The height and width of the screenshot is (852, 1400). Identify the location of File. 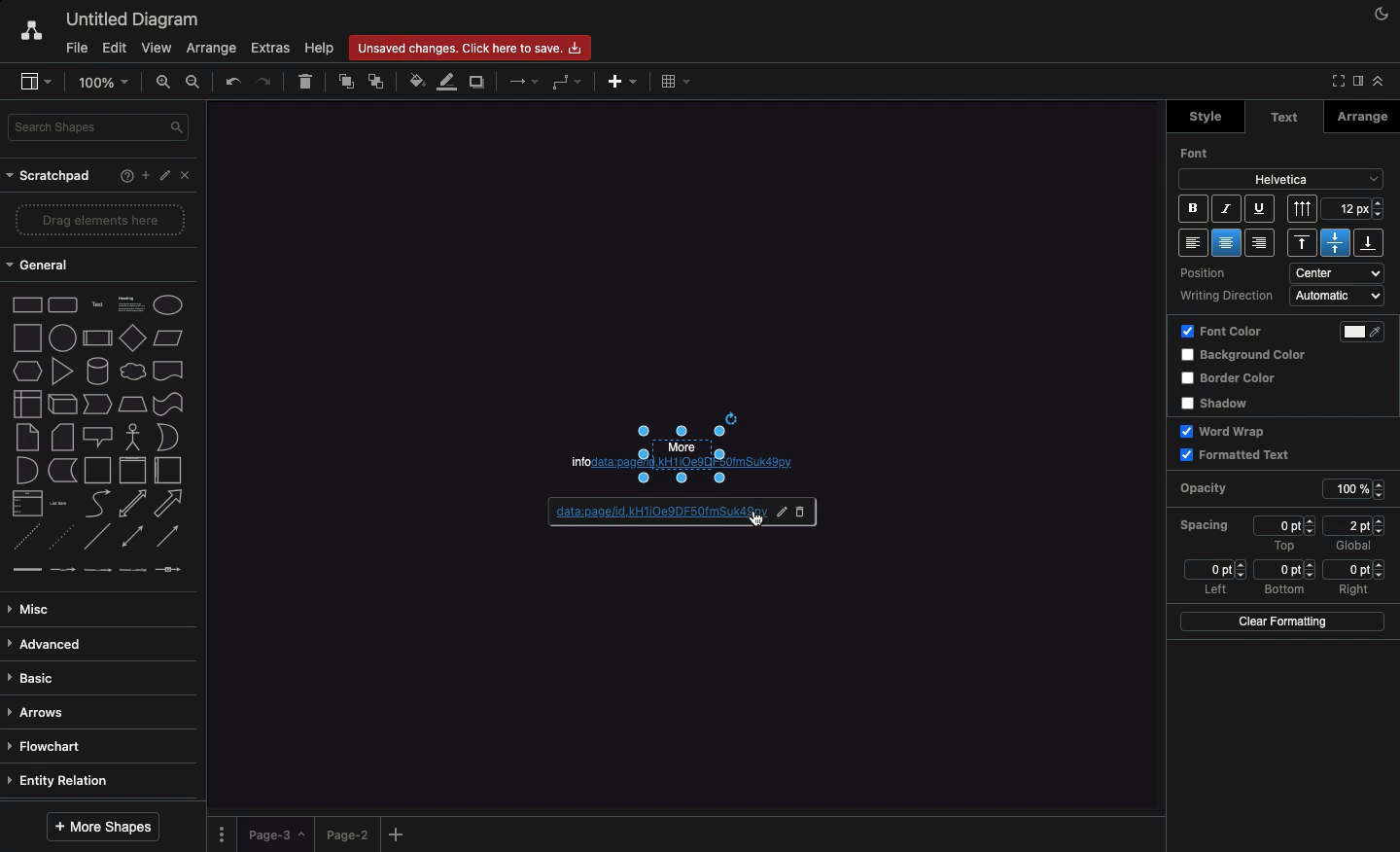
(75, 47).